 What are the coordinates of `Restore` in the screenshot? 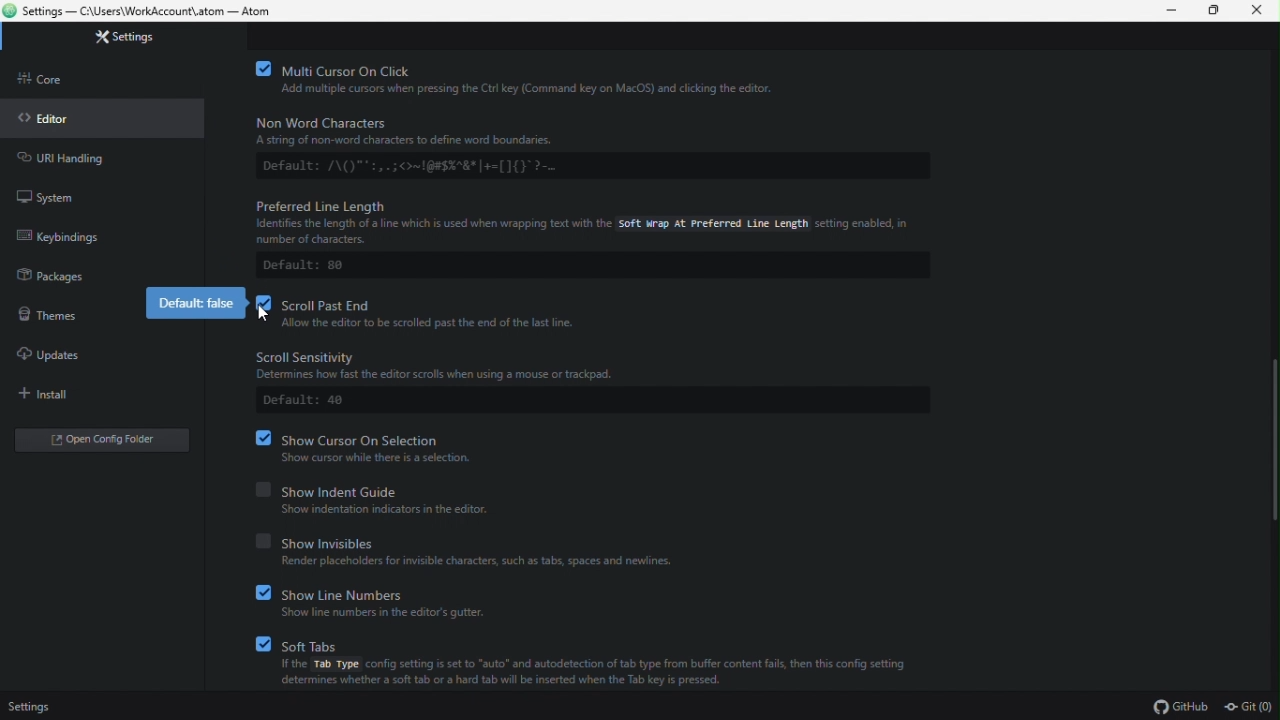 It's located at (1214, 11).